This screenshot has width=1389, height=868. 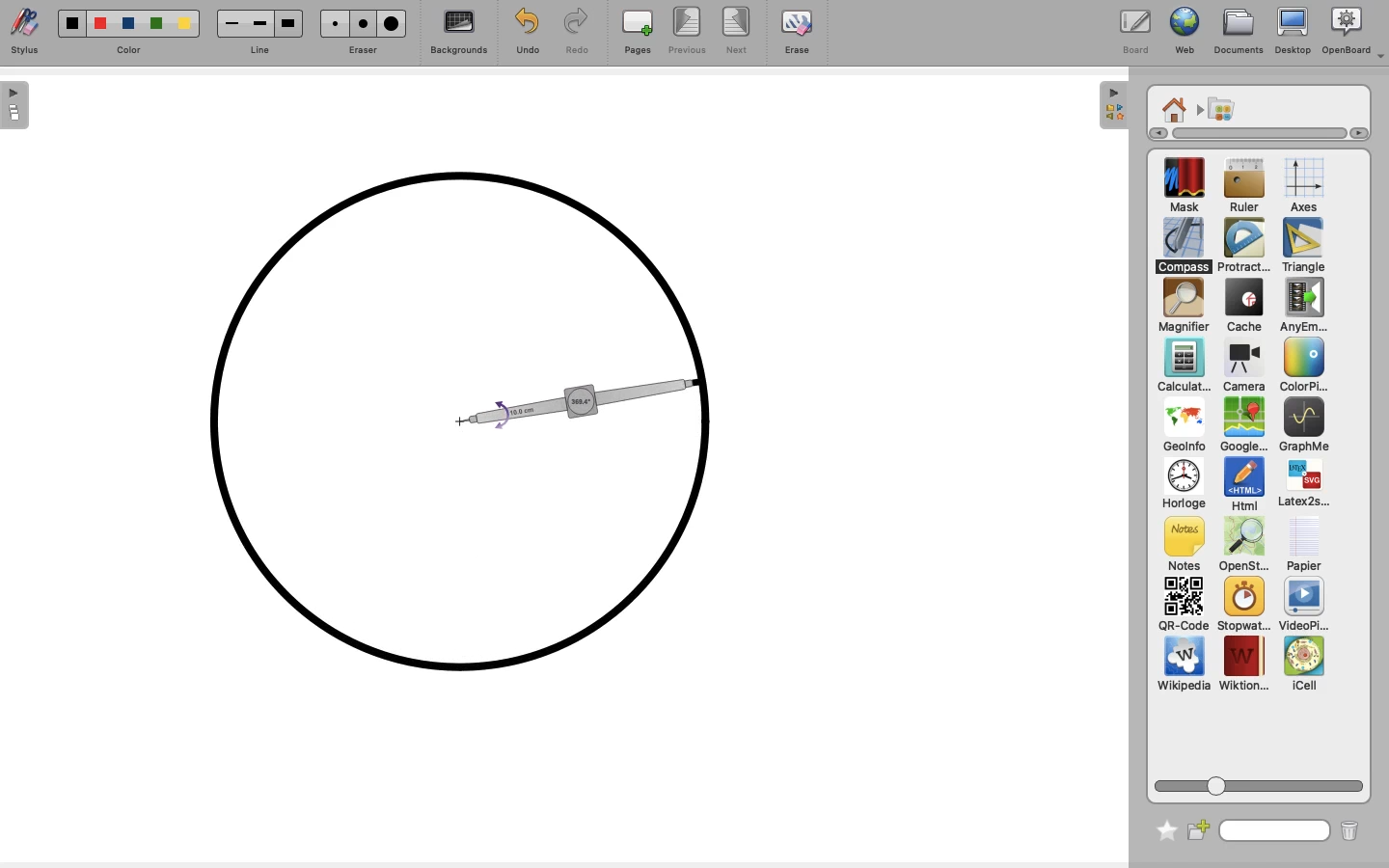 What do you see at coordinates (1183, 607) in the screenshot?
I see `QR code` at bounding box center [1183, 607].